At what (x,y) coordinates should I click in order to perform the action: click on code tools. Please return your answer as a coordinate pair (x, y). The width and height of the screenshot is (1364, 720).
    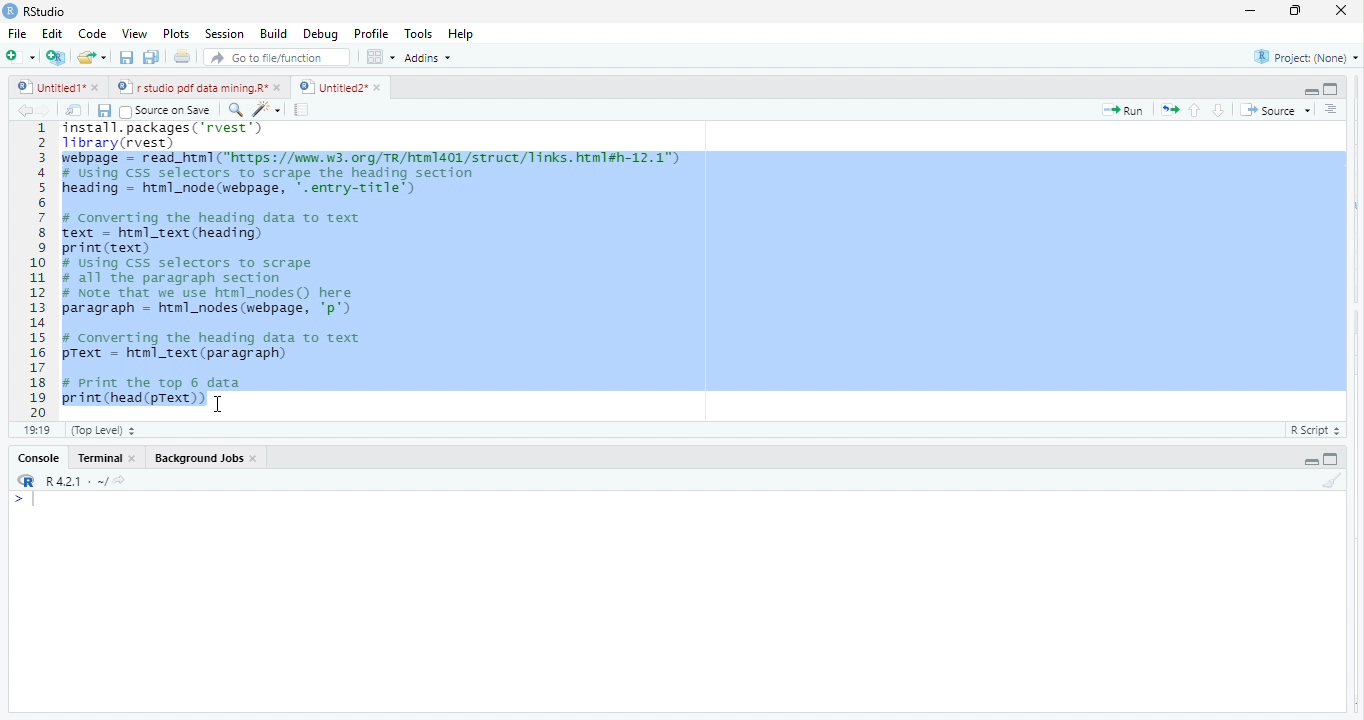
    Looking at the image, I should click on (267, 109).